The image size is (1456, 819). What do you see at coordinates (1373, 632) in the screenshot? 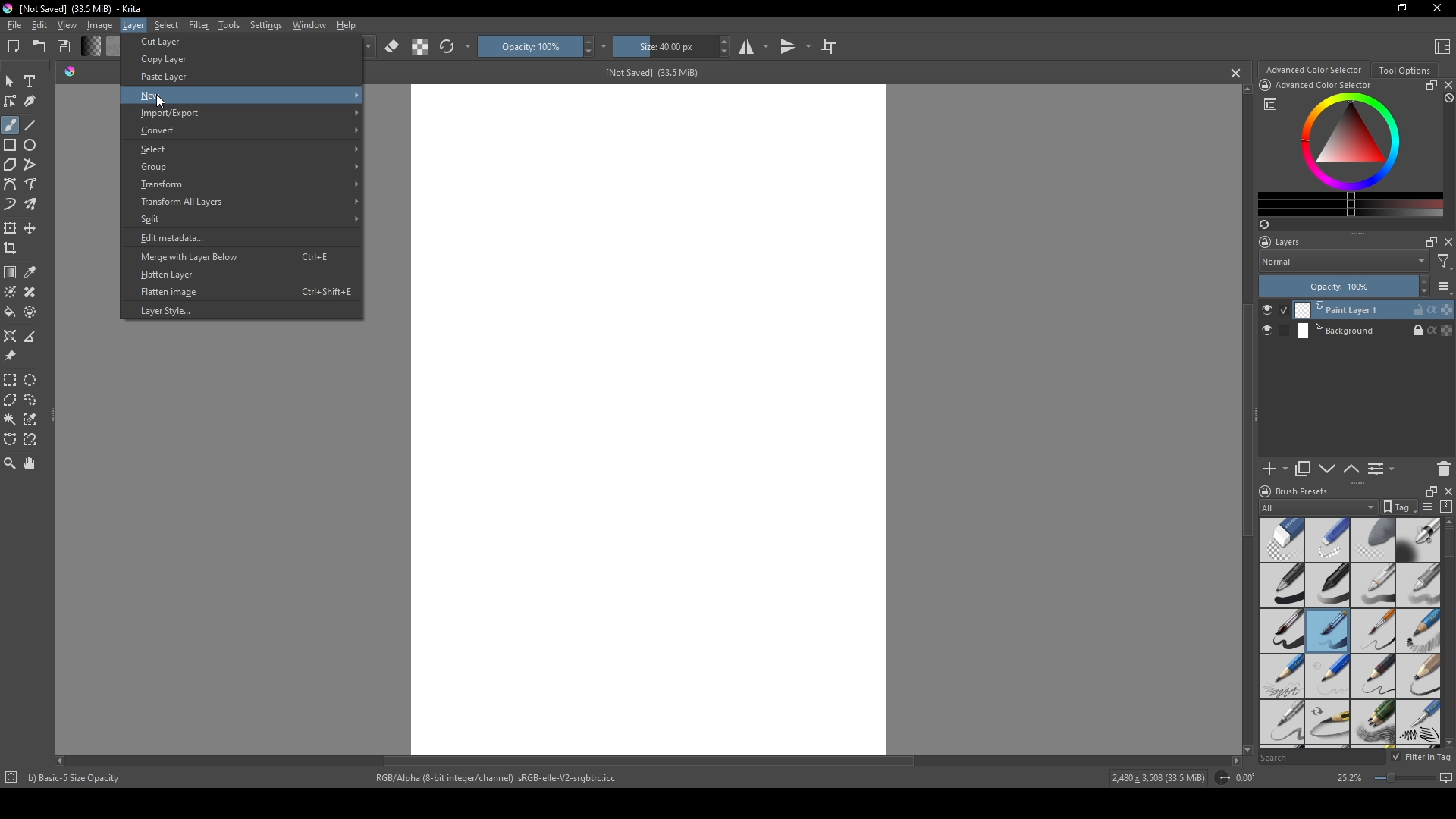
I see `thin brush` at bounding box center [1373, 632].